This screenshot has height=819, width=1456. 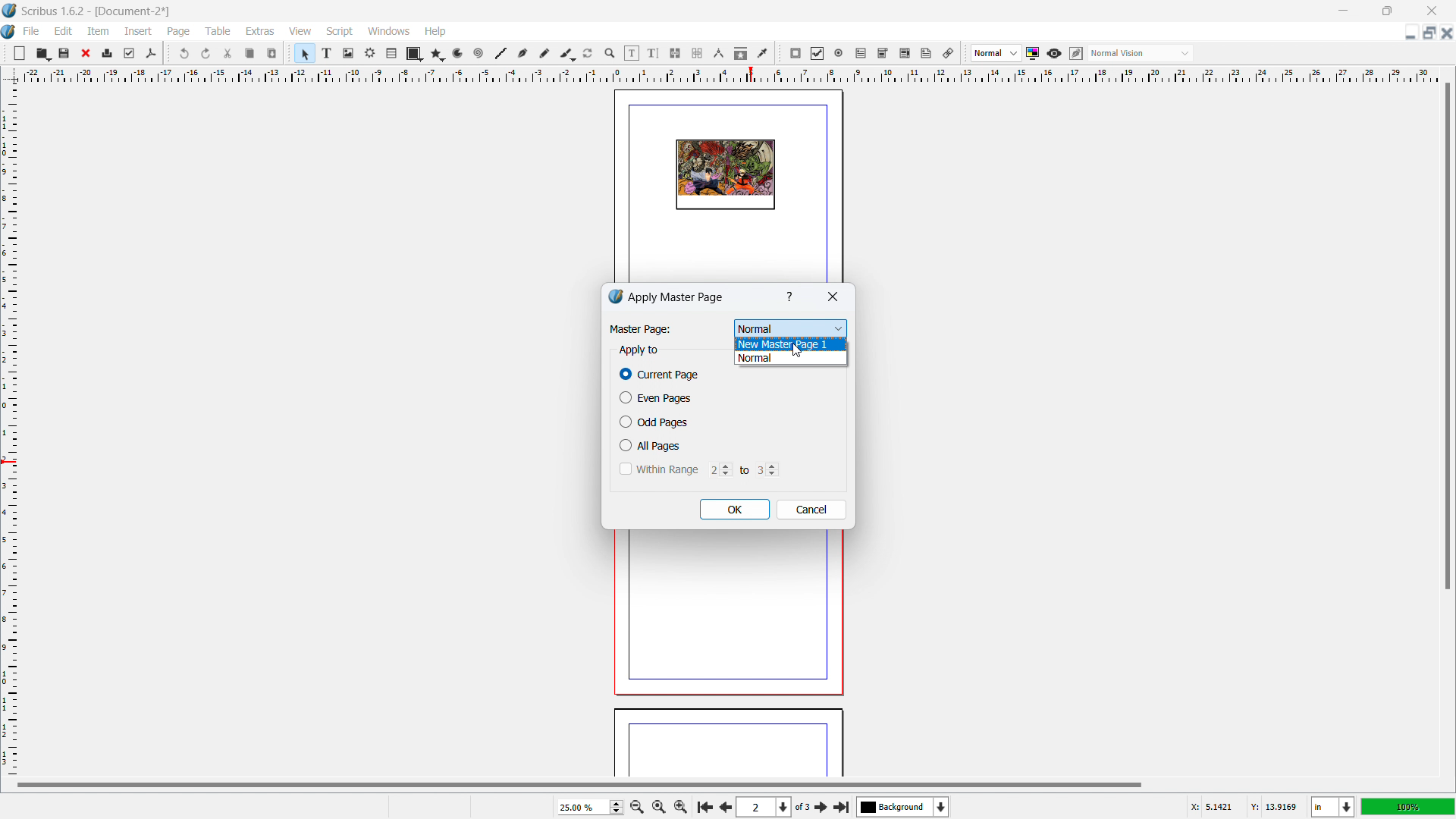 I want to click on cursor coordinate, so click(x=1243, y=805).